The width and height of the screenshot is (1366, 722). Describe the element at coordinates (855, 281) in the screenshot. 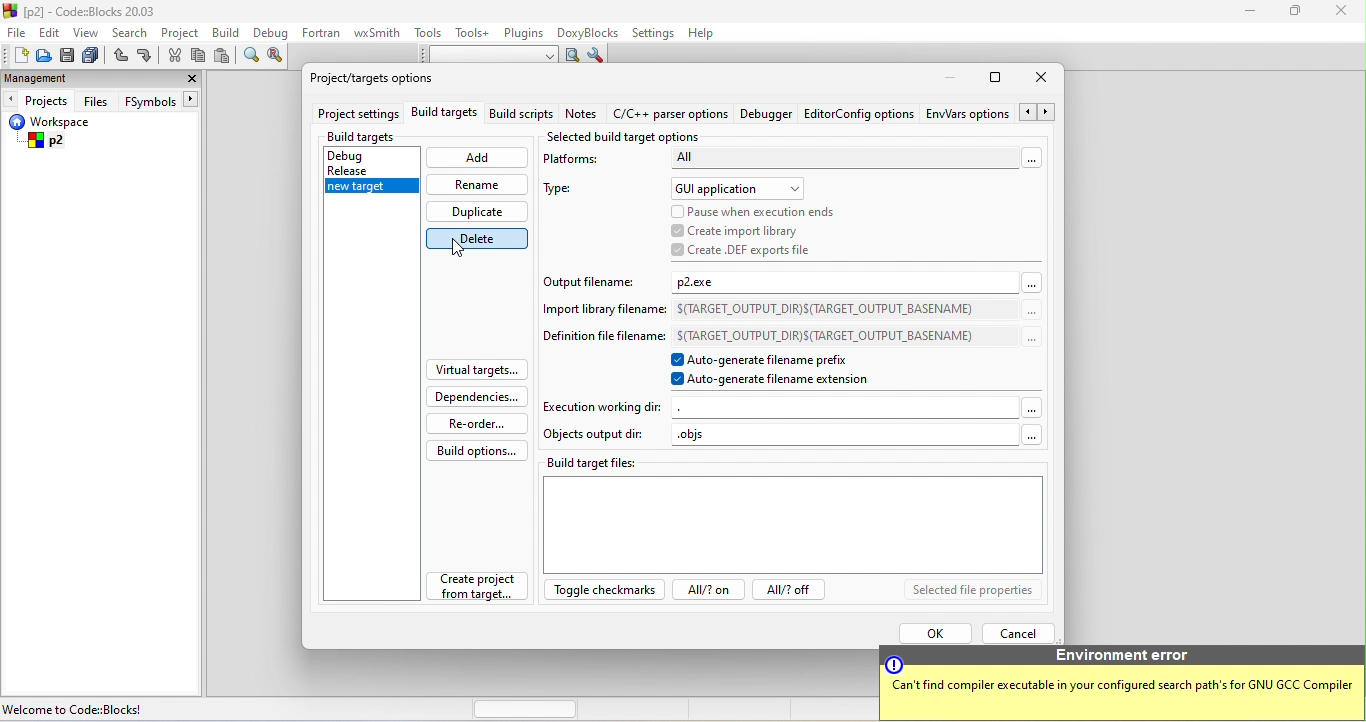

I see `p2.exe` at that location.